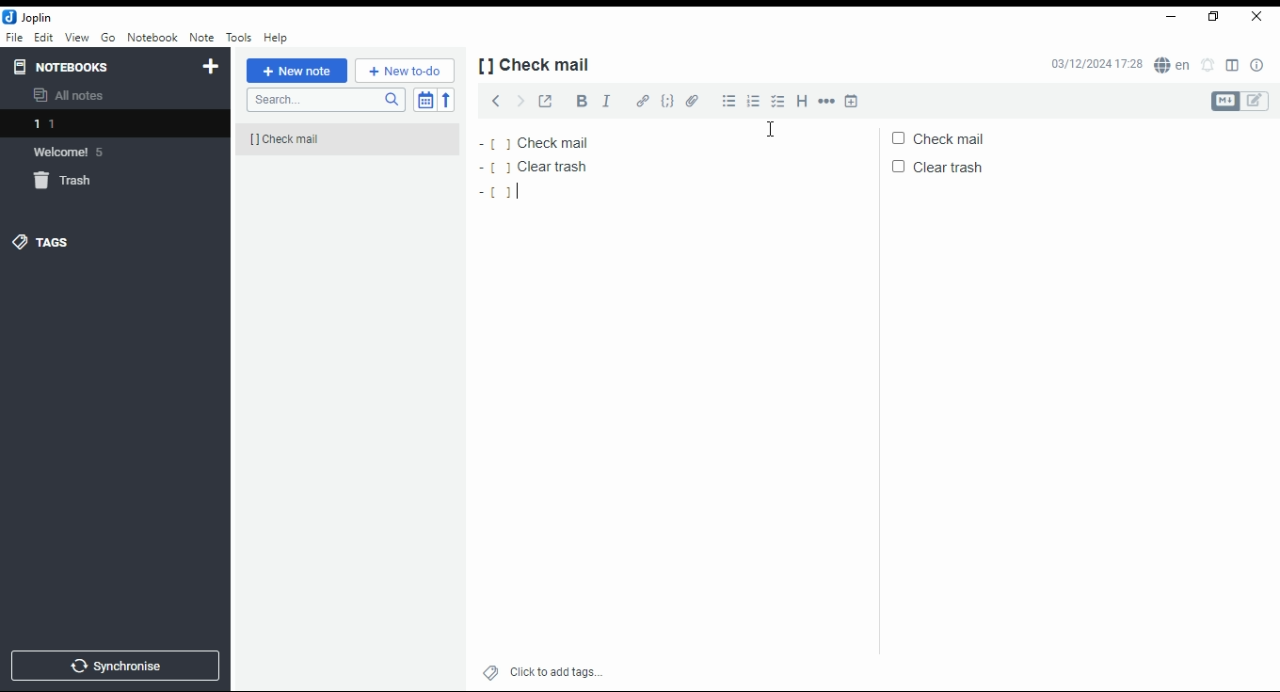  Describe the element at coordinates (545, 101) in the screenshot. I see `toggle external editing` at that location.